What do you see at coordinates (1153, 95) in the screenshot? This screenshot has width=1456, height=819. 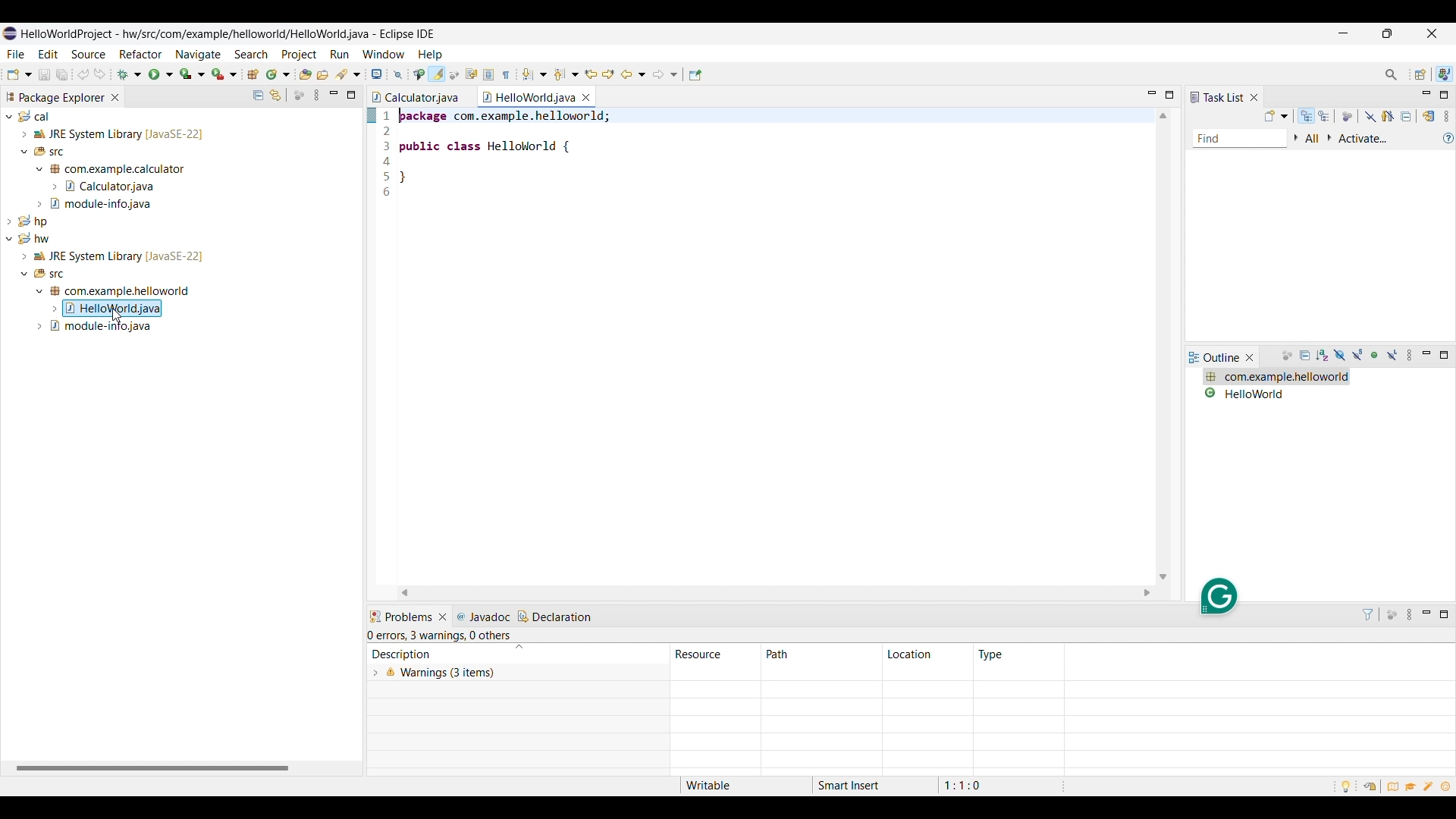 I see `Minimize` at bounding box center [1153, 95].